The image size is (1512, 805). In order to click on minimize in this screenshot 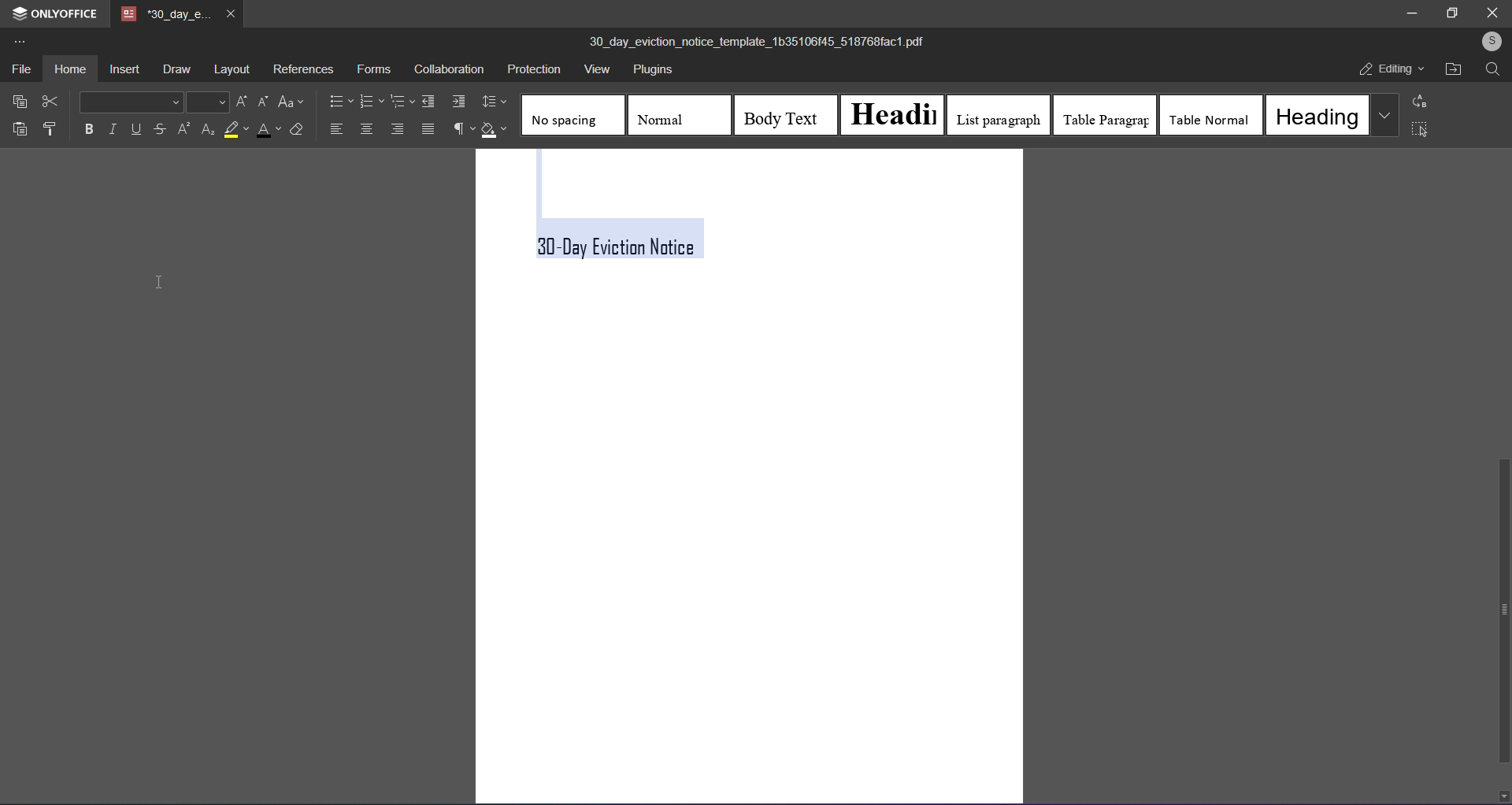, I will do `click(1415, 12)`.